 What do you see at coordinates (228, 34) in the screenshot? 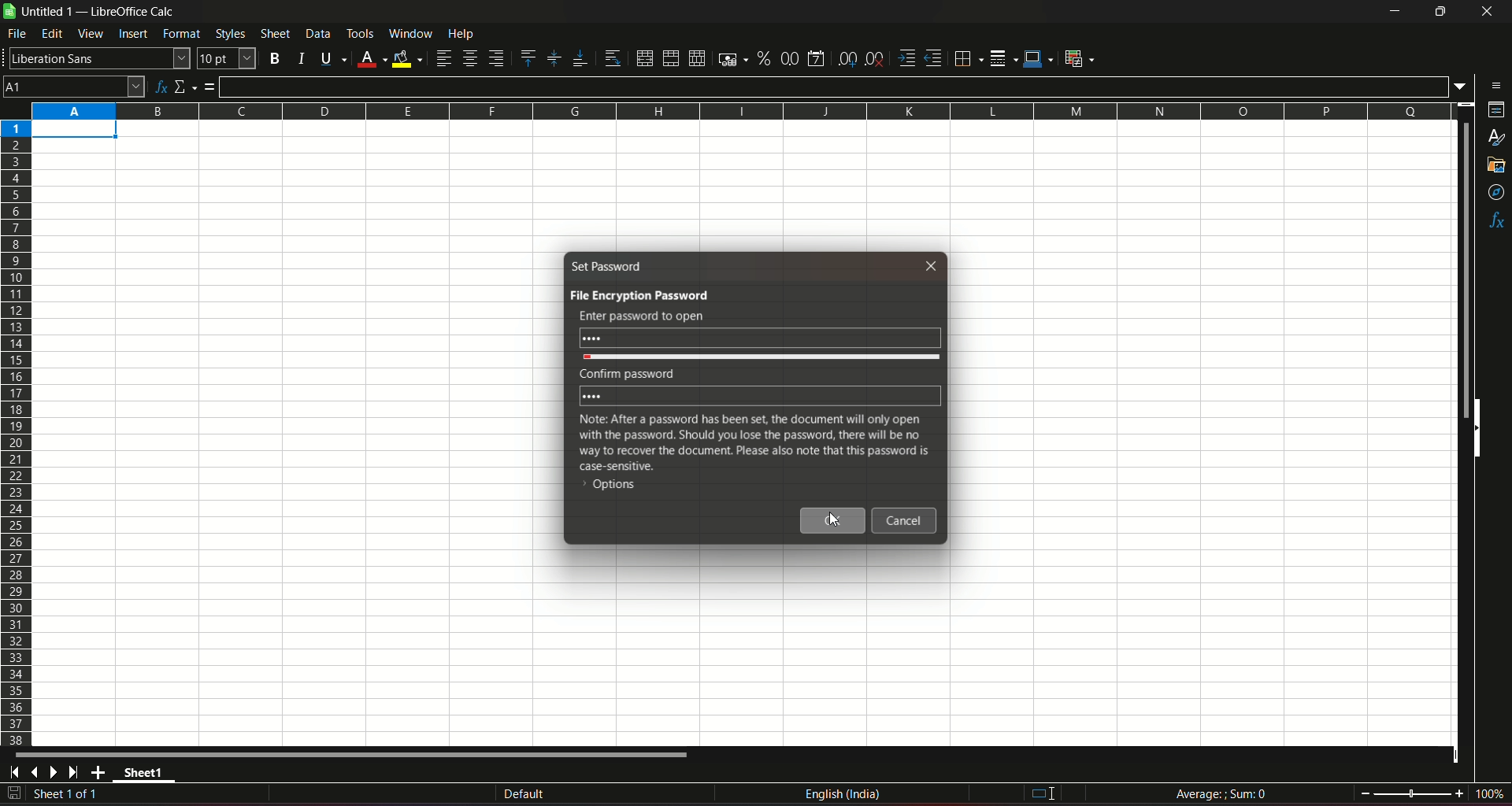
I see `Styles` at bounding box center [228, 34].